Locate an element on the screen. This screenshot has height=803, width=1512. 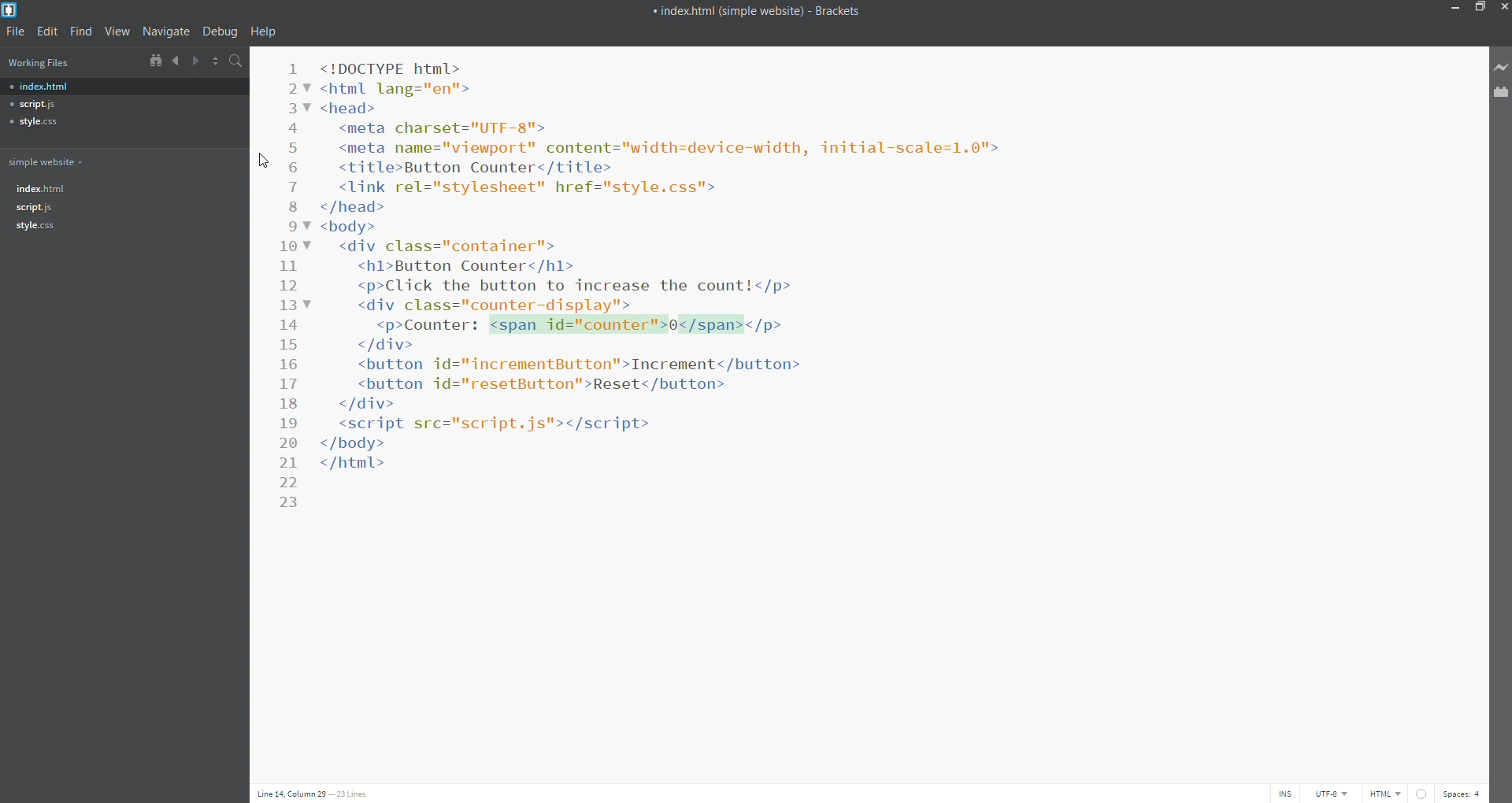
help is located at coordinates (263, 33).